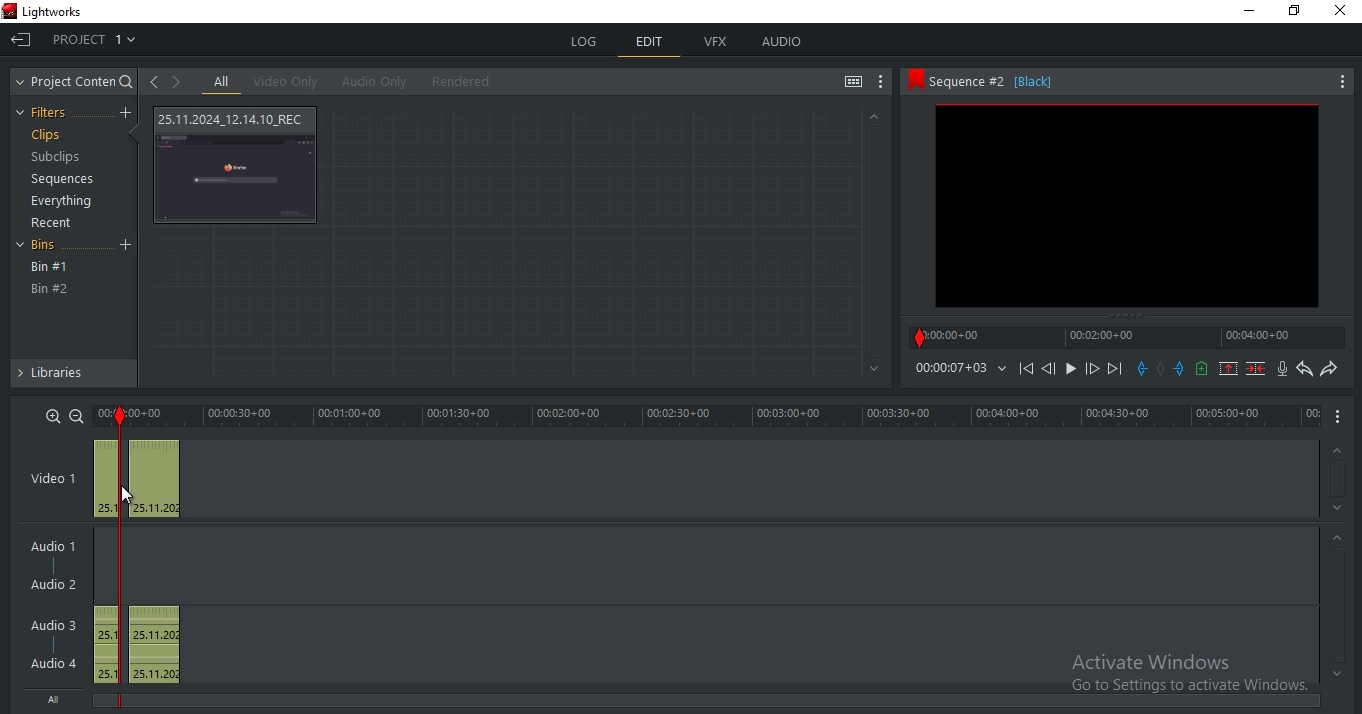  What do you see at coordinates (871, 369) in the screenshot?
I see `Bottom` at bounding box center [871, 369].